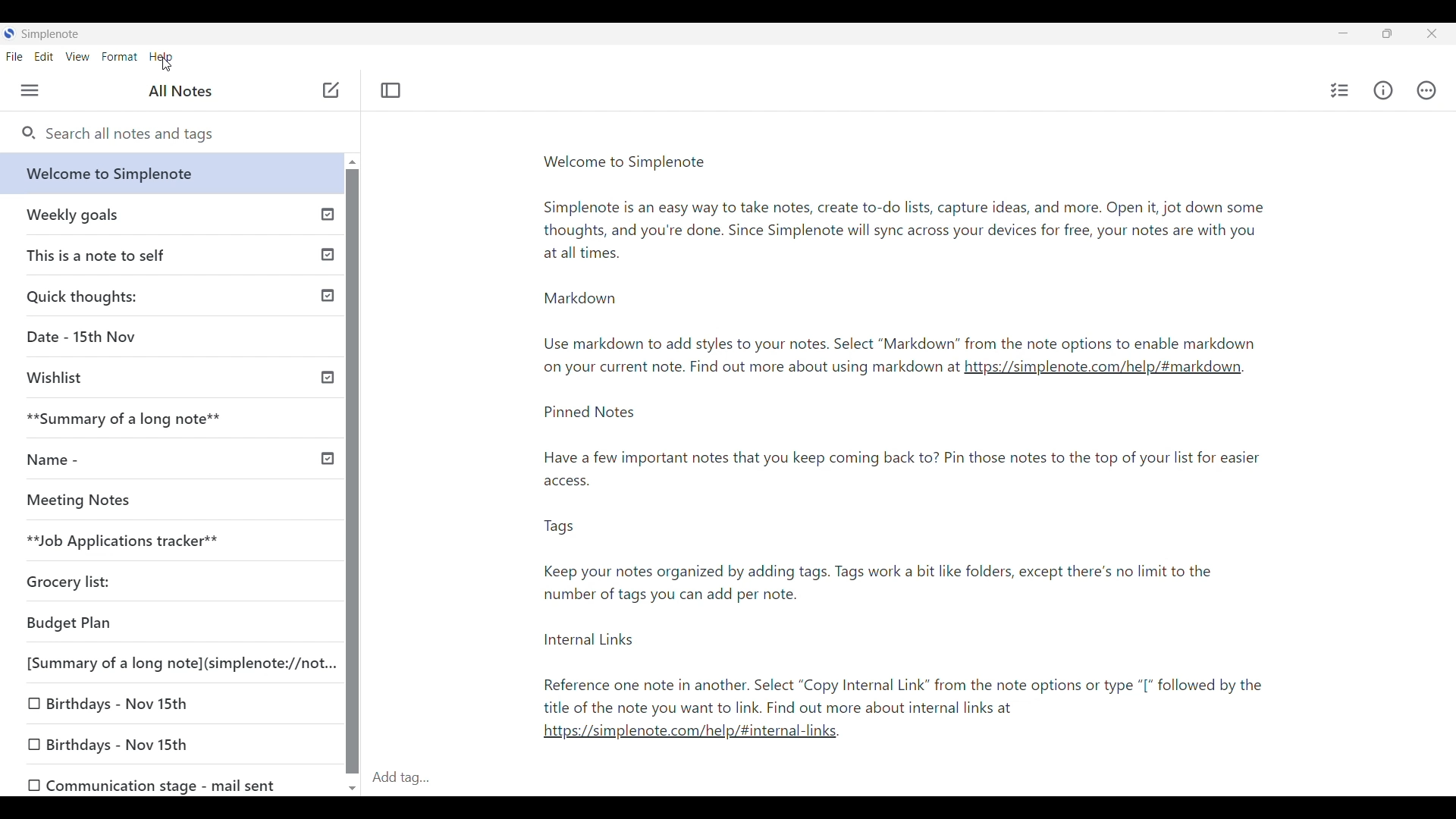 The height and width of the screenshot is (819, 1456). I want to click on Welcome to simplenote-note1, so click(902, 253).